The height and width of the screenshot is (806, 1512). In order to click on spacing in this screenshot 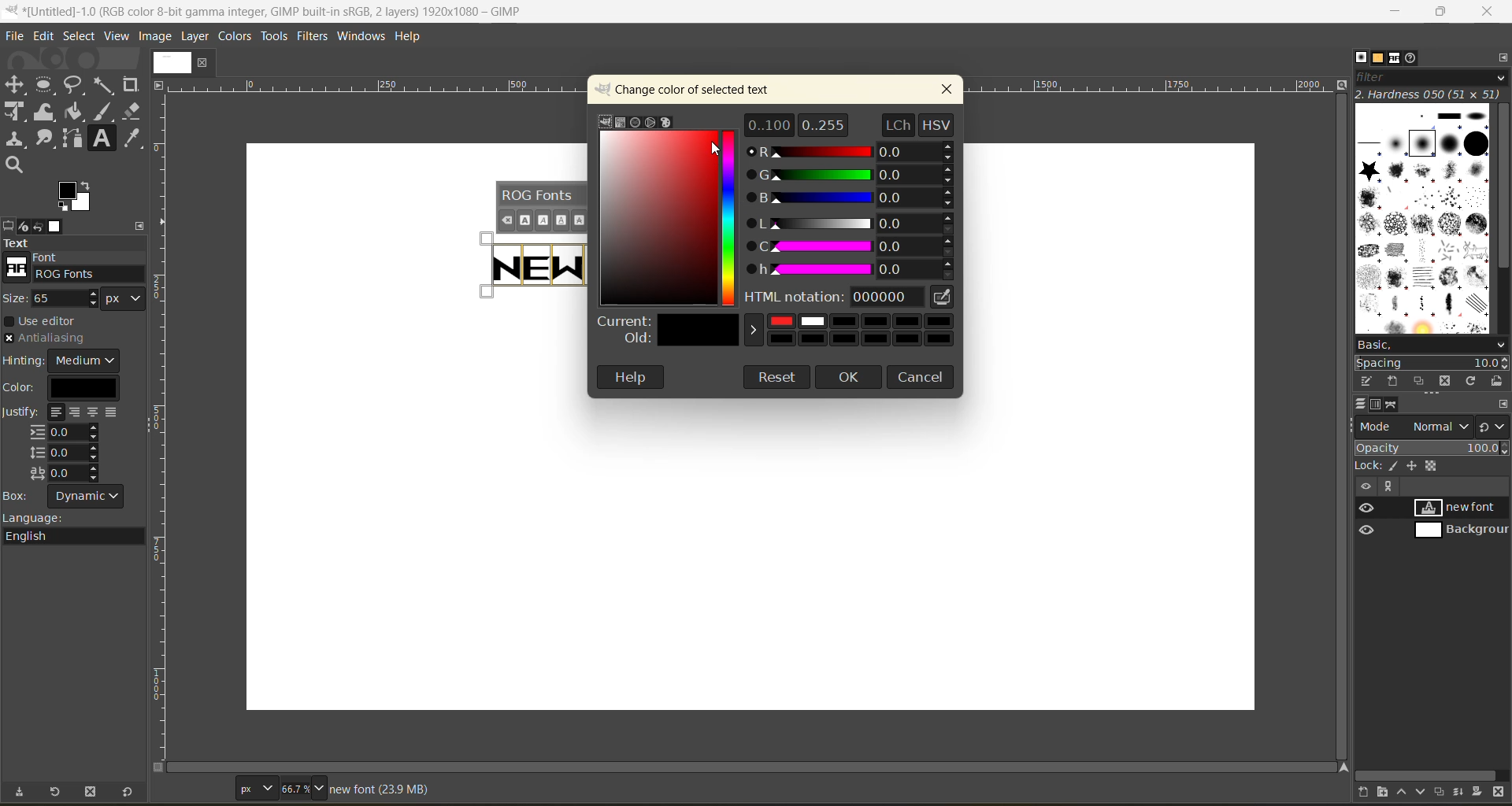, I will do `click(1431, 364)`.